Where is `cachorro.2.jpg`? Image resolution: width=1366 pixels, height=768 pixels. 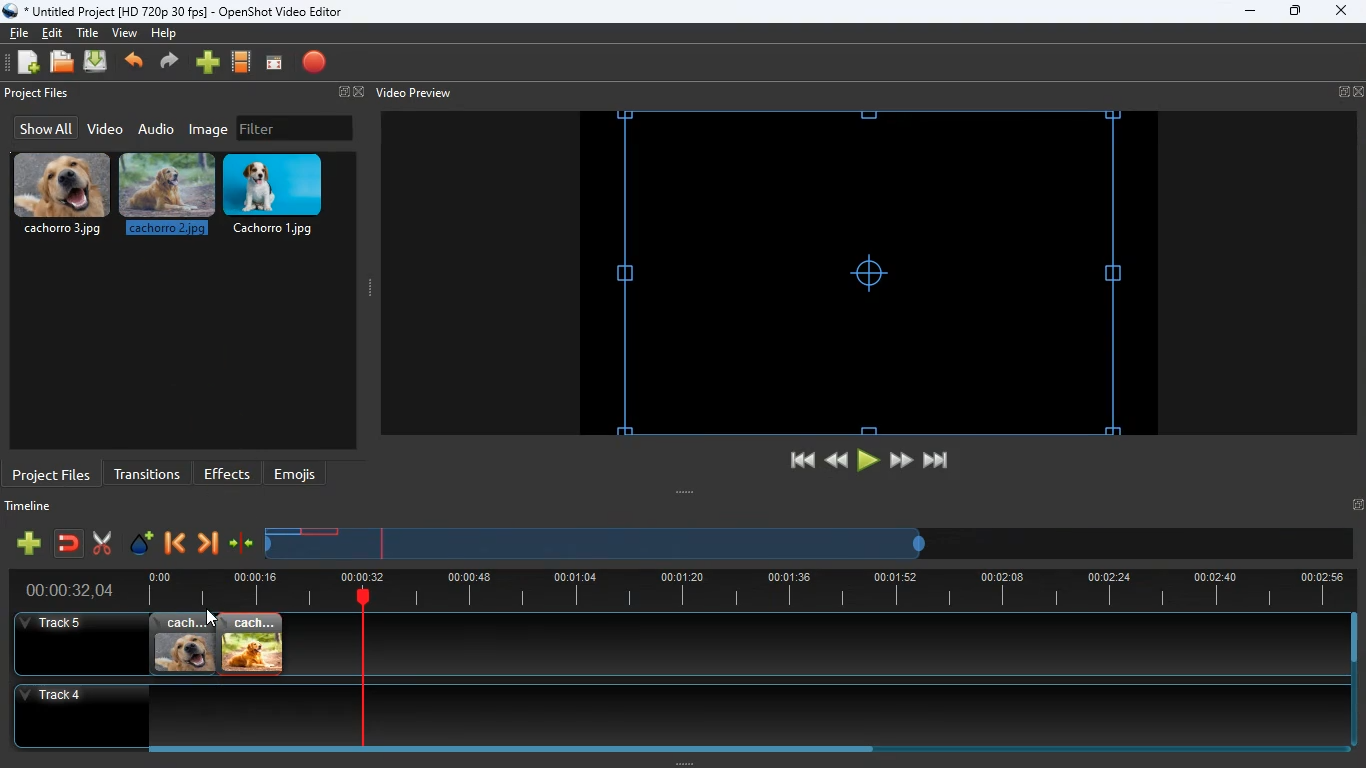
cachorro.2.jpg is located at coordinates (169, 197).